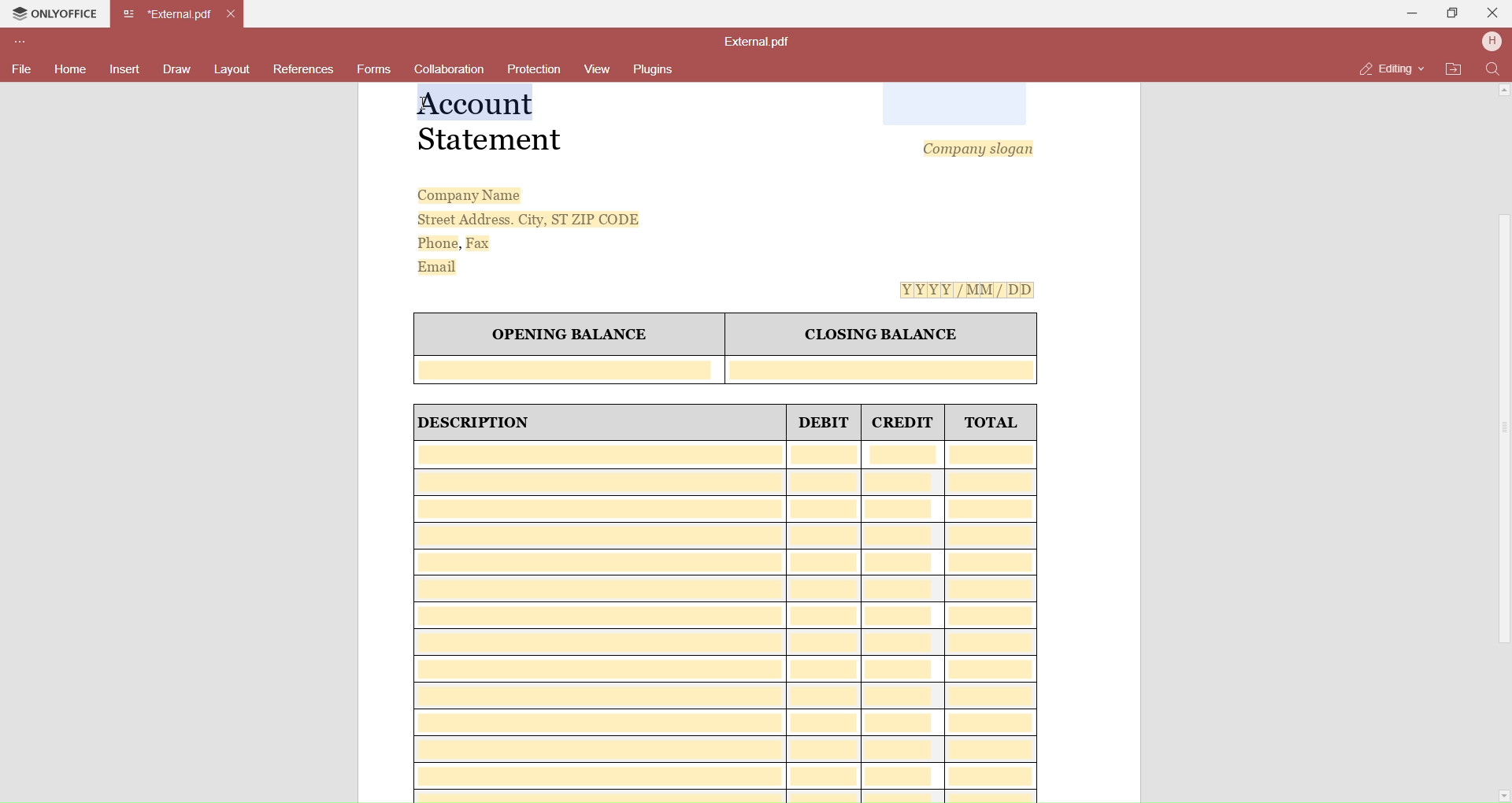 The width and height of the screenshot is (1512, 803). What do you see at coordinates (1449, 13) in the screenshot?
I see `Maximize` at bounding box center [1449, 13].